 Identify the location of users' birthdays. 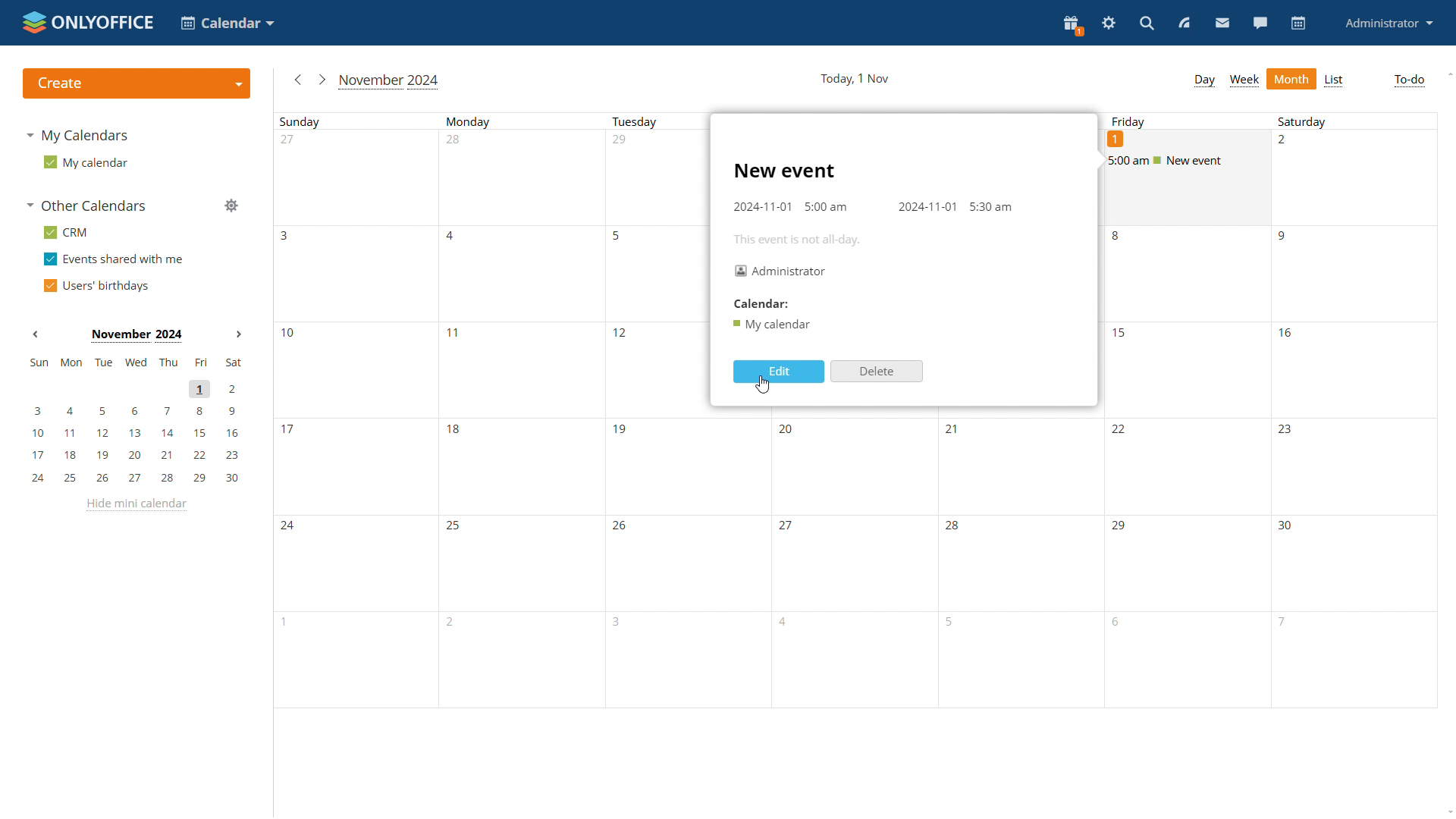
(99, 287).